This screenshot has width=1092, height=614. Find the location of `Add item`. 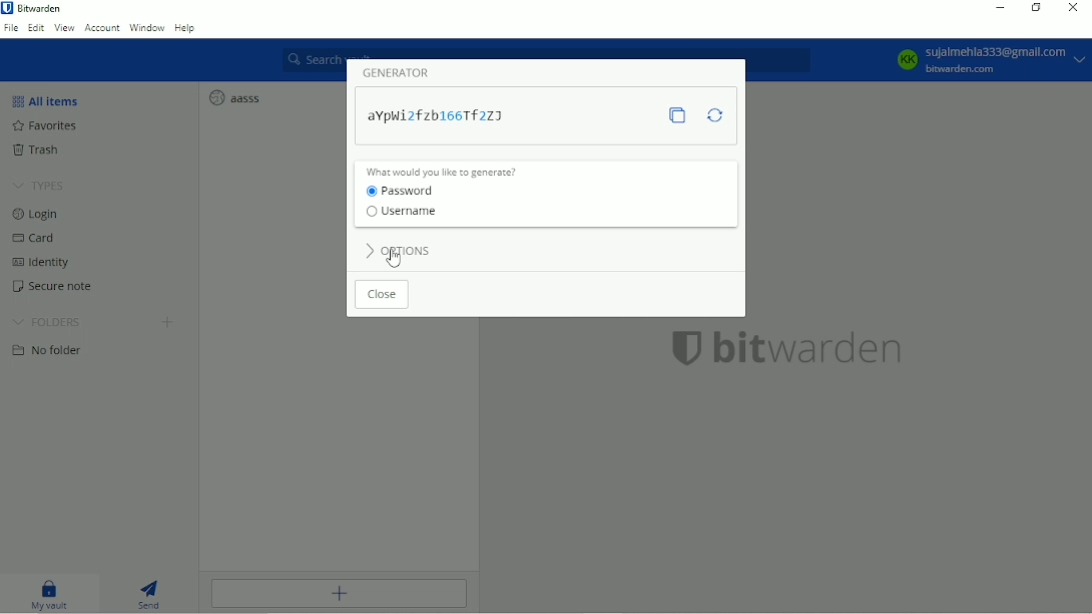

Add item is located at coordinates (342, 595).